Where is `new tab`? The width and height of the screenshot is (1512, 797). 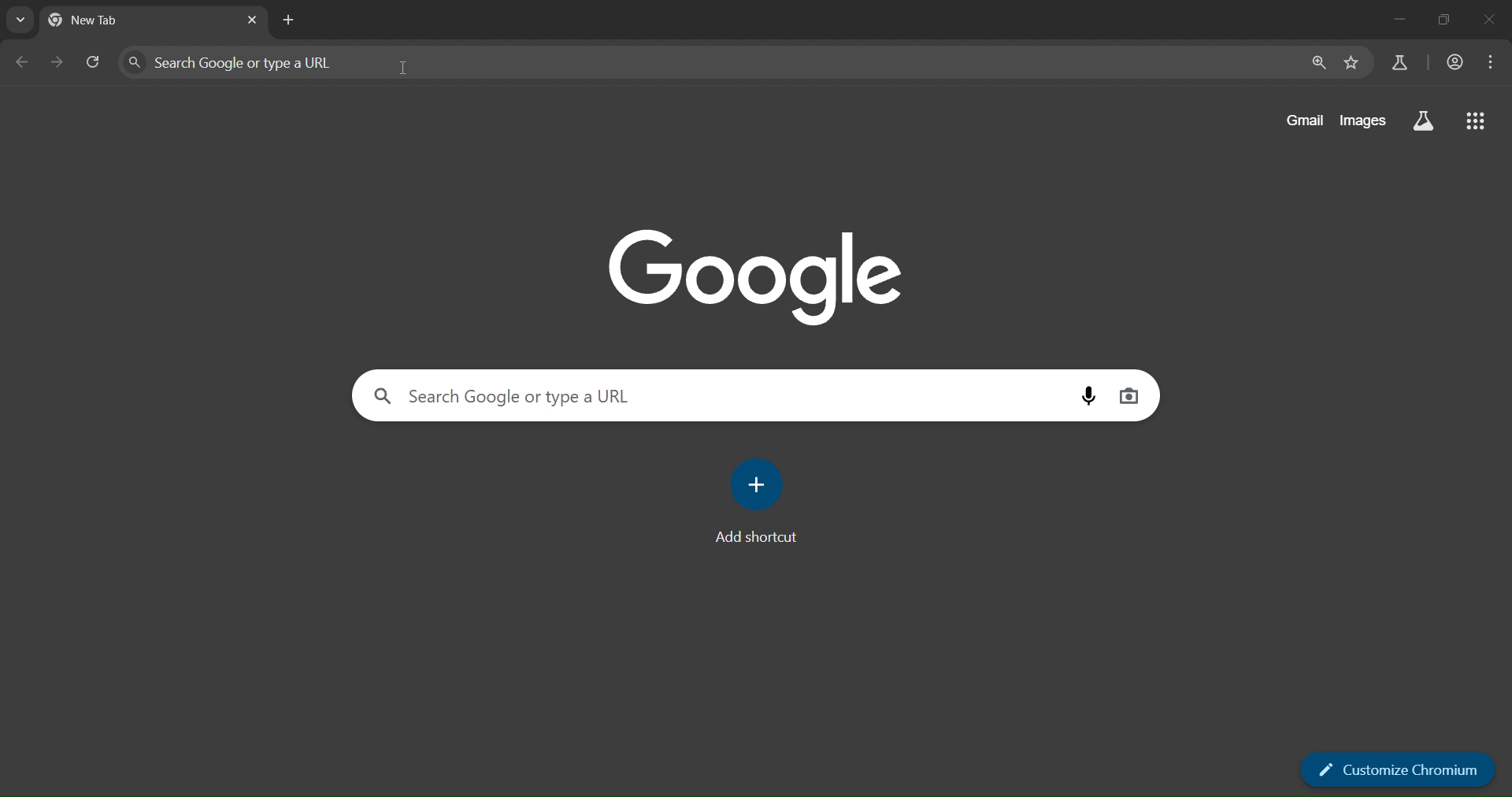
new tab is located at coordinates (289, 21).